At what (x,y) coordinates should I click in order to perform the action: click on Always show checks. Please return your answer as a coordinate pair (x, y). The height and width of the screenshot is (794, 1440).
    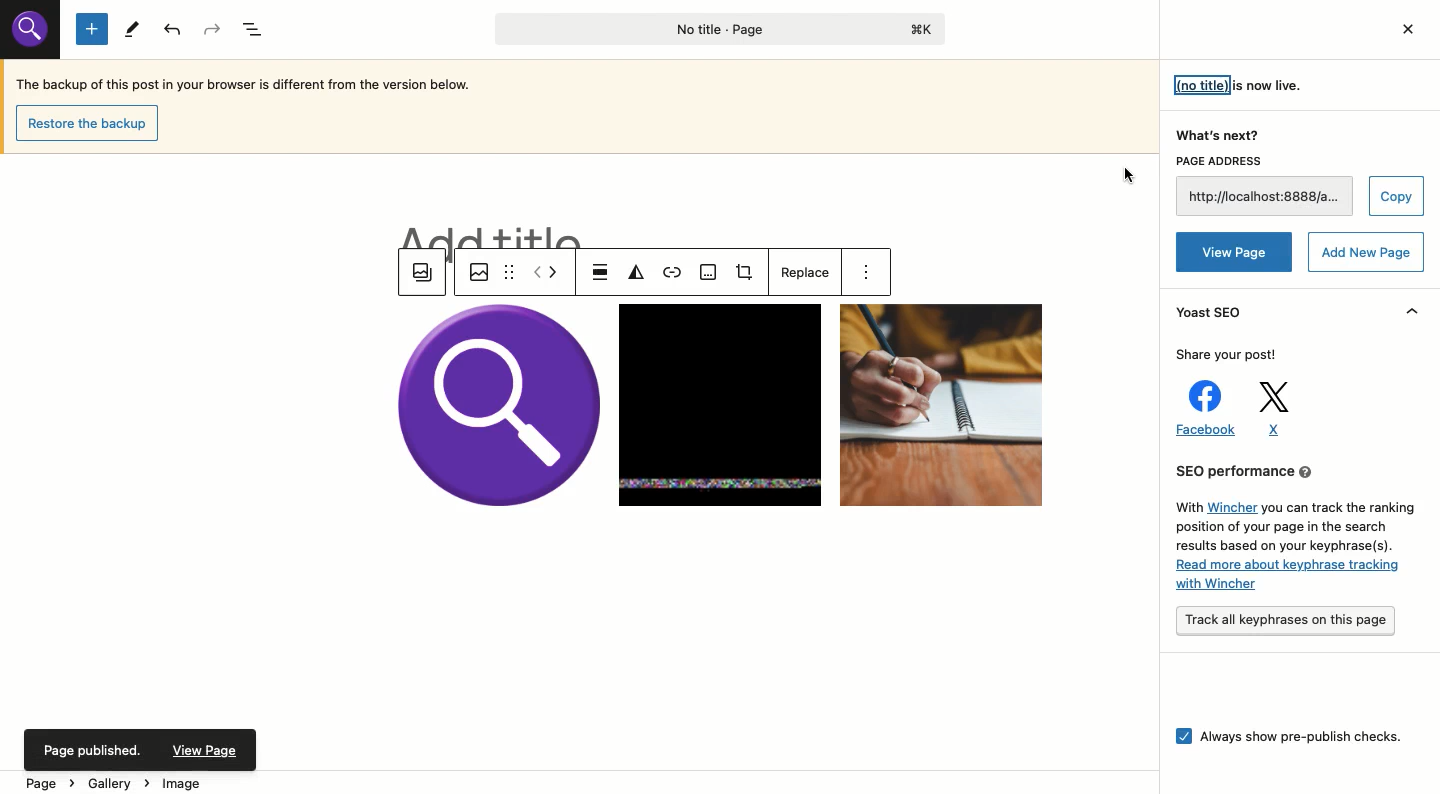
    Looking at the image, I should click on (1290, 734).